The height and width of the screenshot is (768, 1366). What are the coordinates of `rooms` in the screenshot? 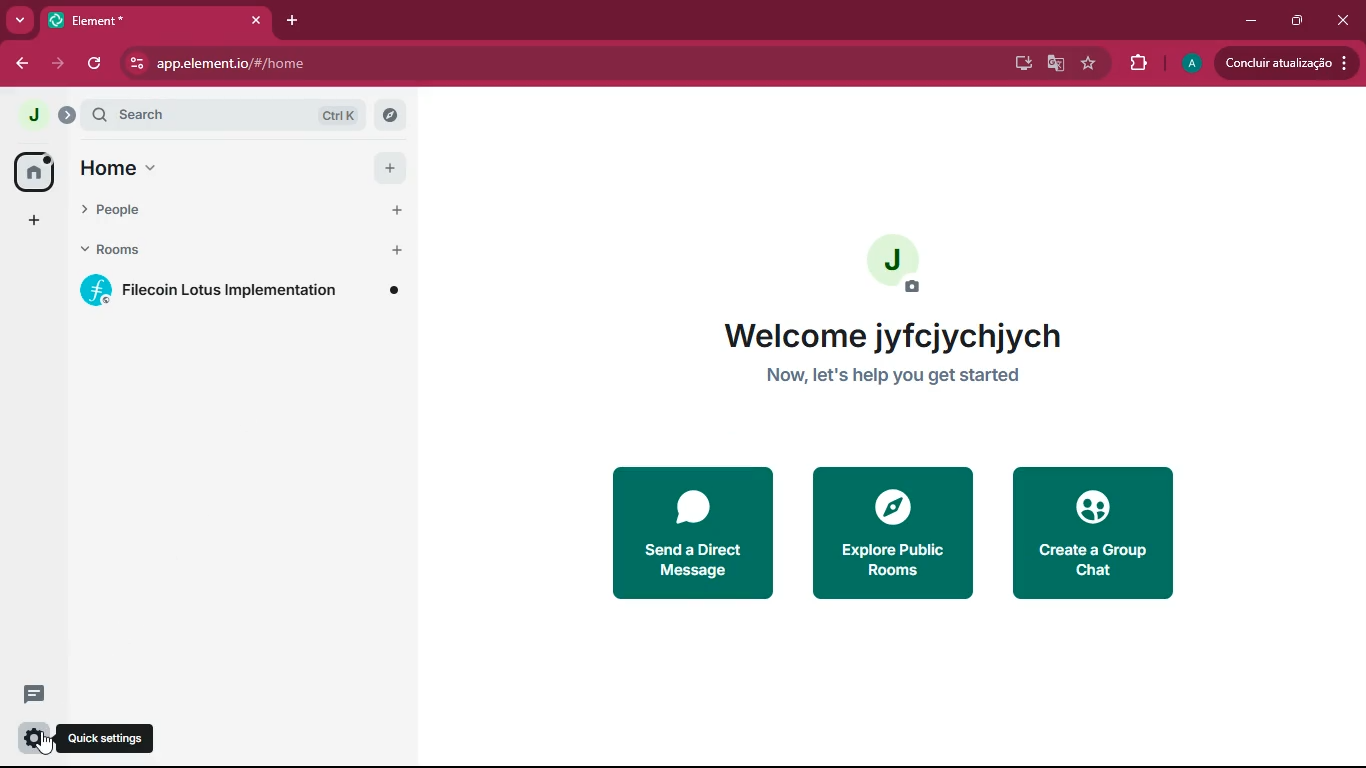 It's located at (197, 252).